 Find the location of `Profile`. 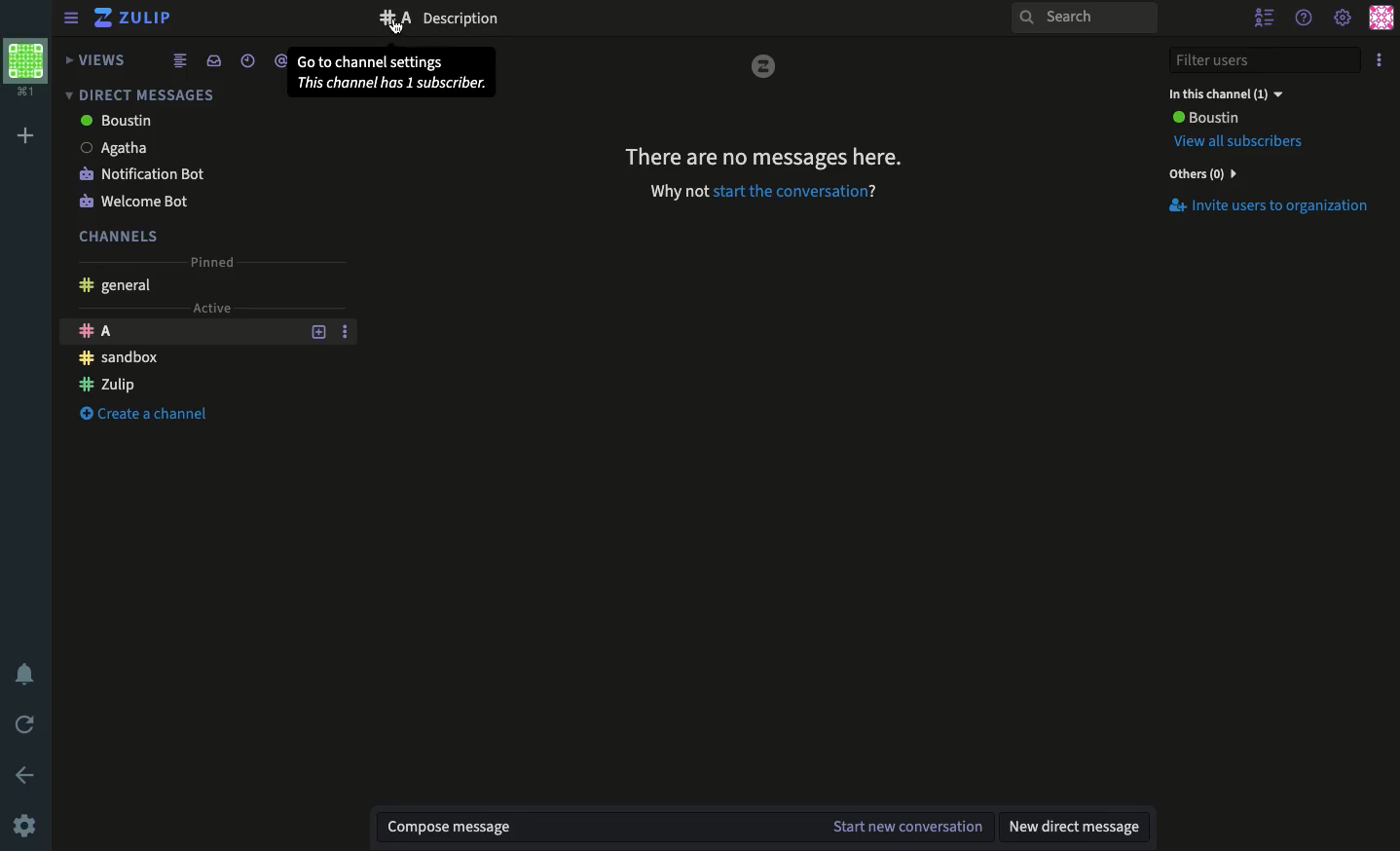

Profile is located at coordinates (1381, 18).